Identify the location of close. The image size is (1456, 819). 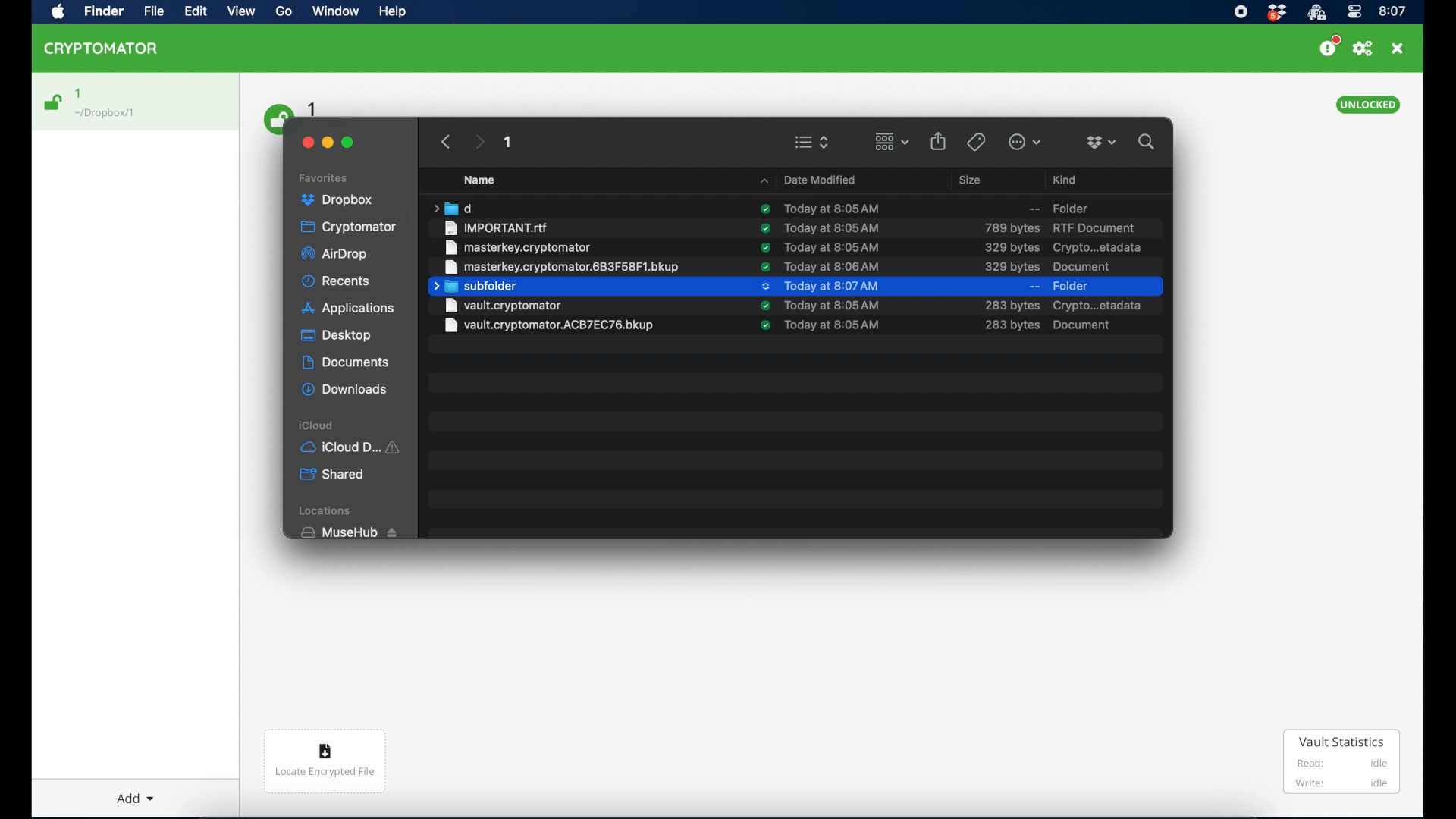
(305, 140).